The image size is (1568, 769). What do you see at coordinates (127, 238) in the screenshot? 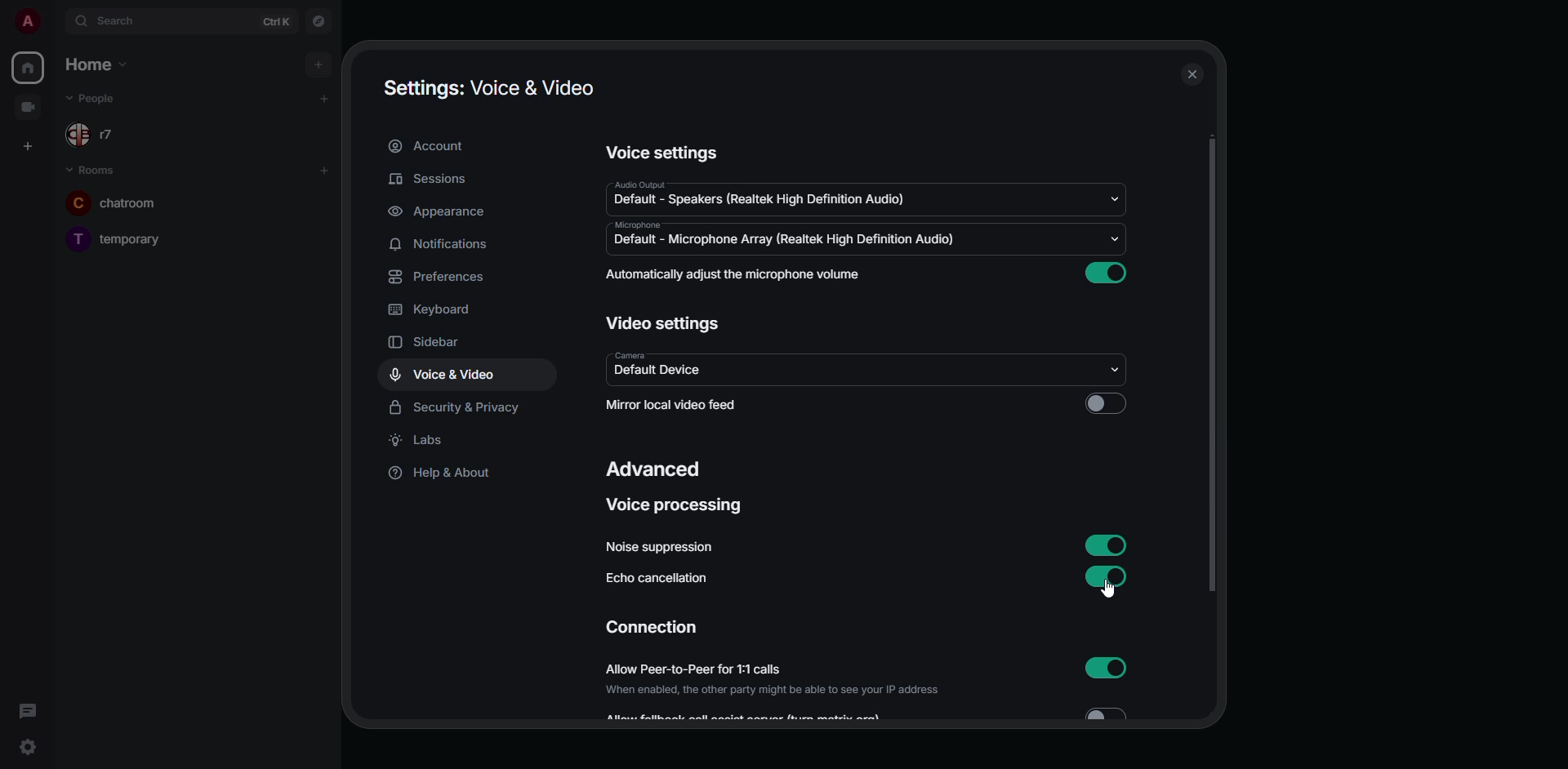
I see `room` at bounding box center [127, 238].